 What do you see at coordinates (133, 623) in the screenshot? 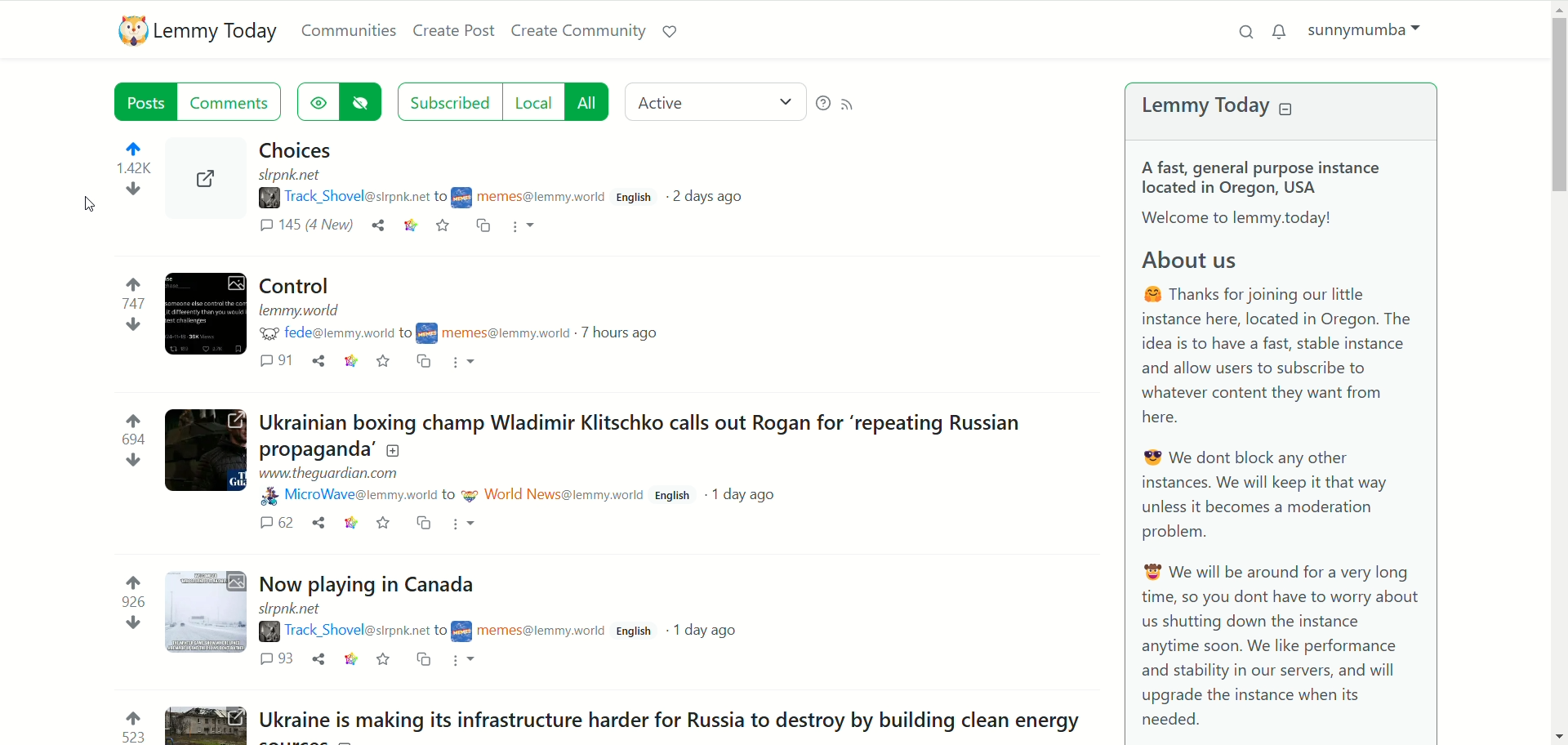
I see `down vote` at bounding box center [133, 623].